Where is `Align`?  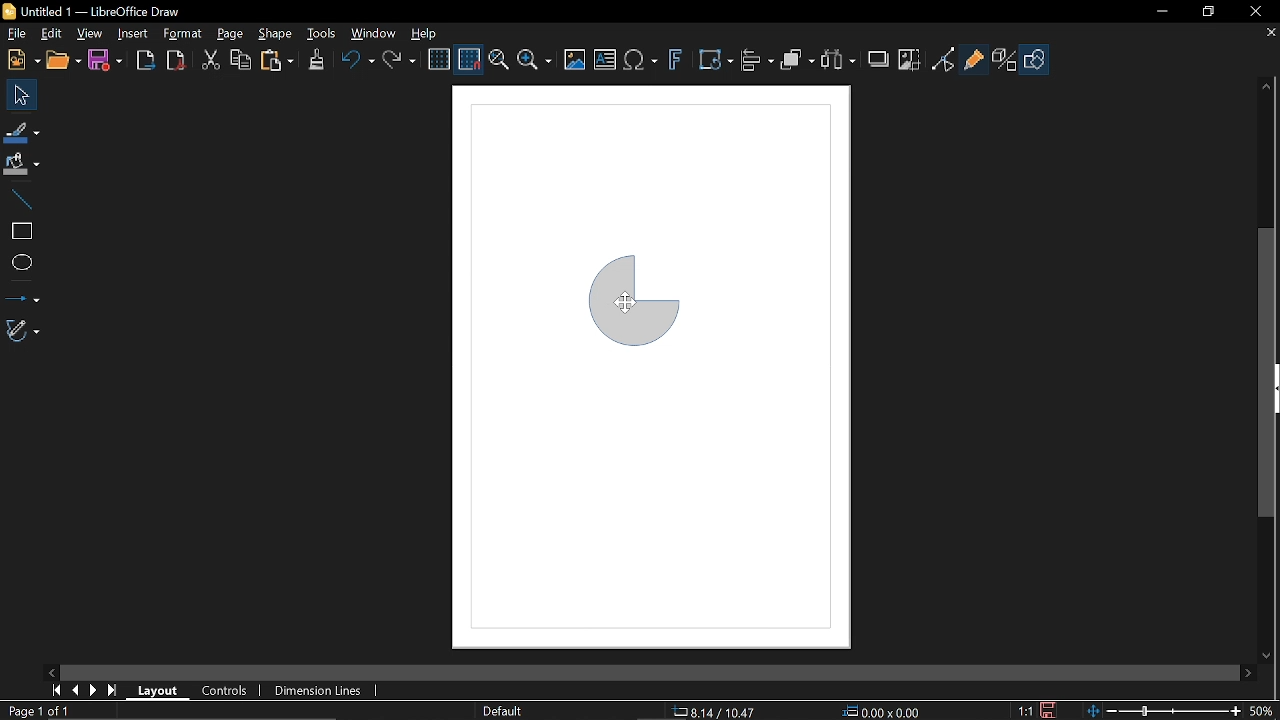 Align is located at coordinates (758, 60).